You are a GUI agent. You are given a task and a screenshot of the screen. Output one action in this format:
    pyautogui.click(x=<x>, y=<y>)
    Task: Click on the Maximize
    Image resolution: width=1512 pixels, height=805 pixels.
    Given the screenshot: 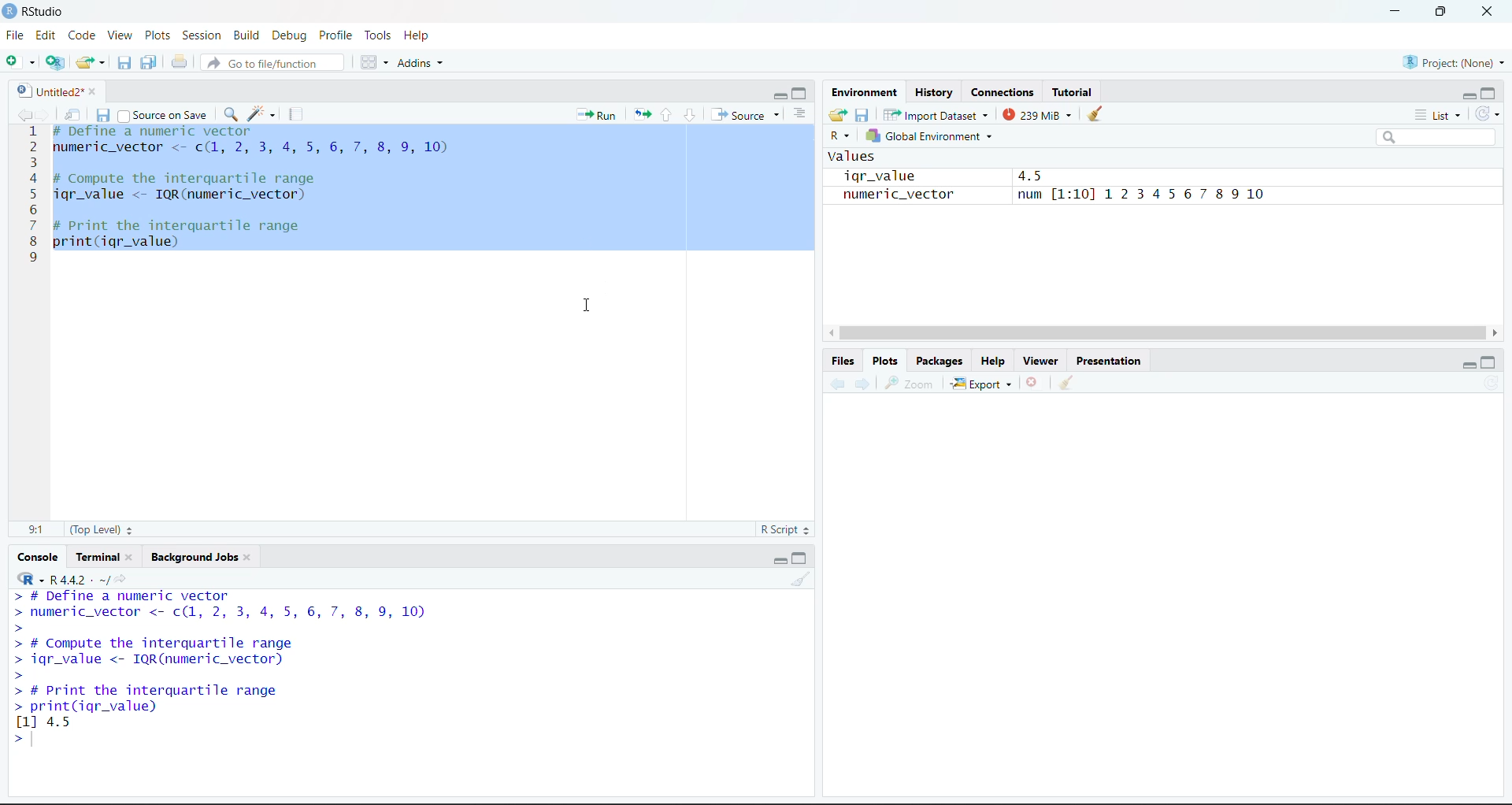 What is the action you would take?
    pyautogui.click(x=1492, y=362)
    